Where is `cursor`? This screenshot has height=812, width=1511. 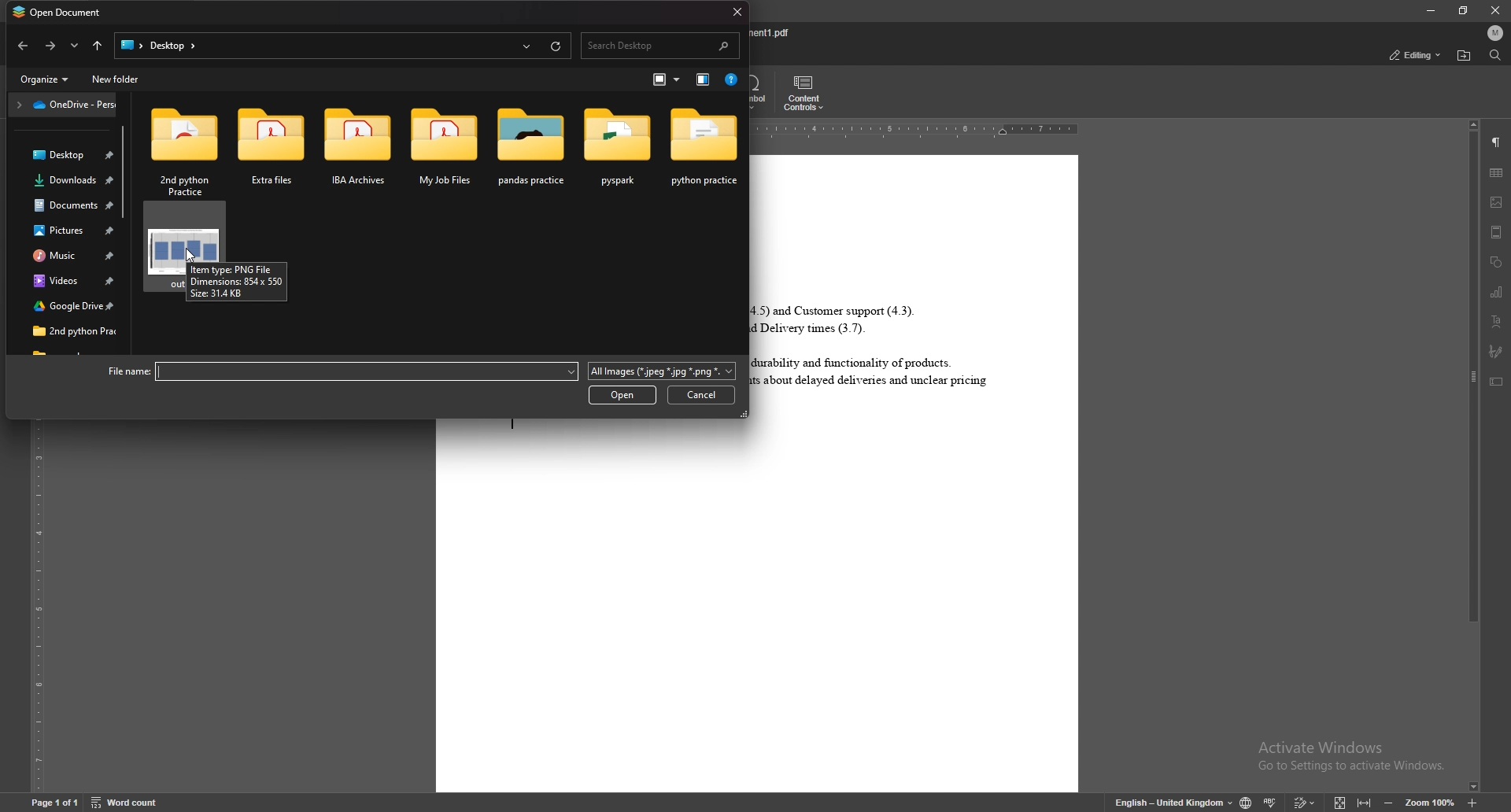 cursor is located at coordinates (193, 254).